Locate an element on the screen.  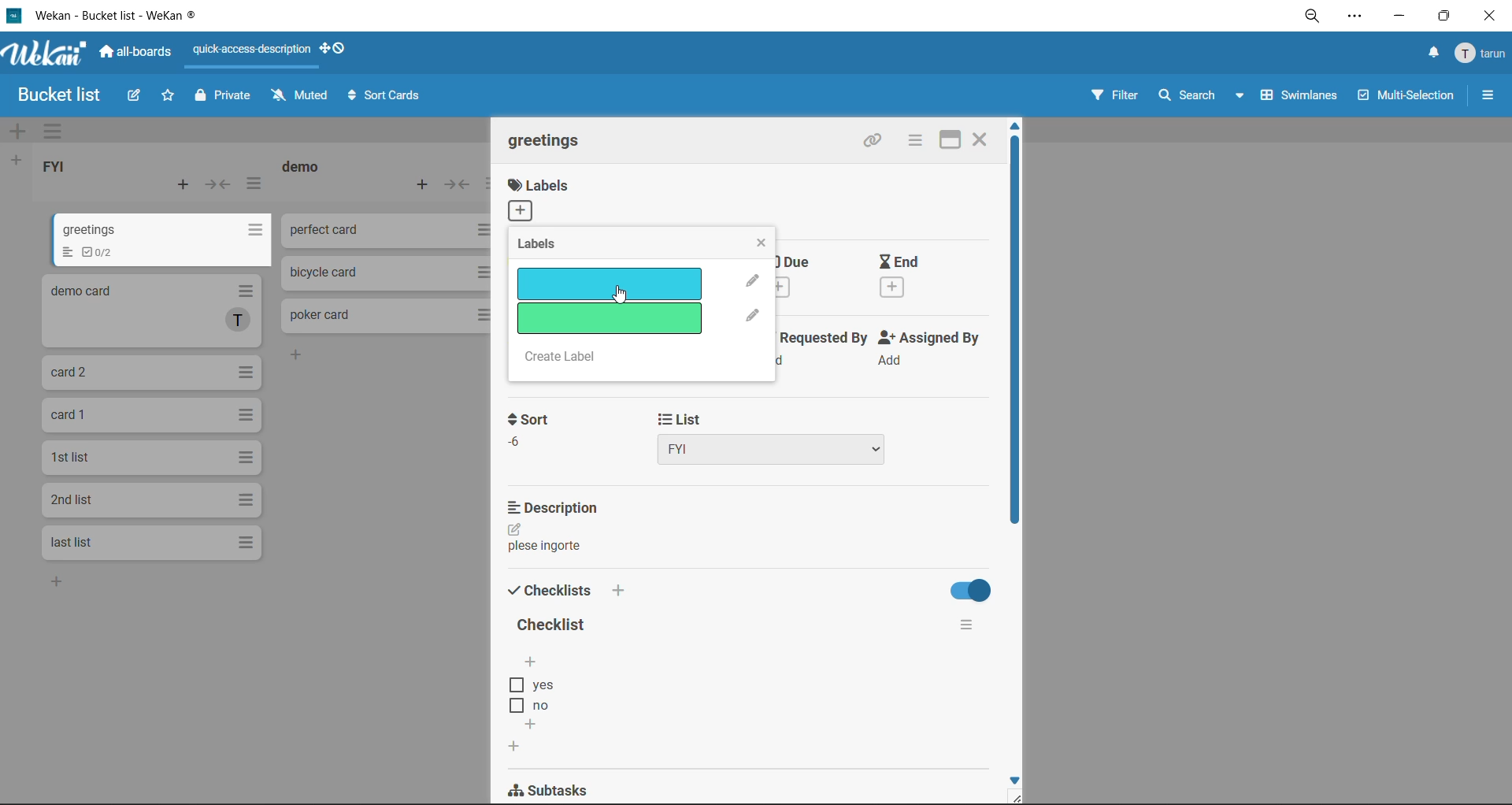
label option 1 is located at coordinates (610, 284).